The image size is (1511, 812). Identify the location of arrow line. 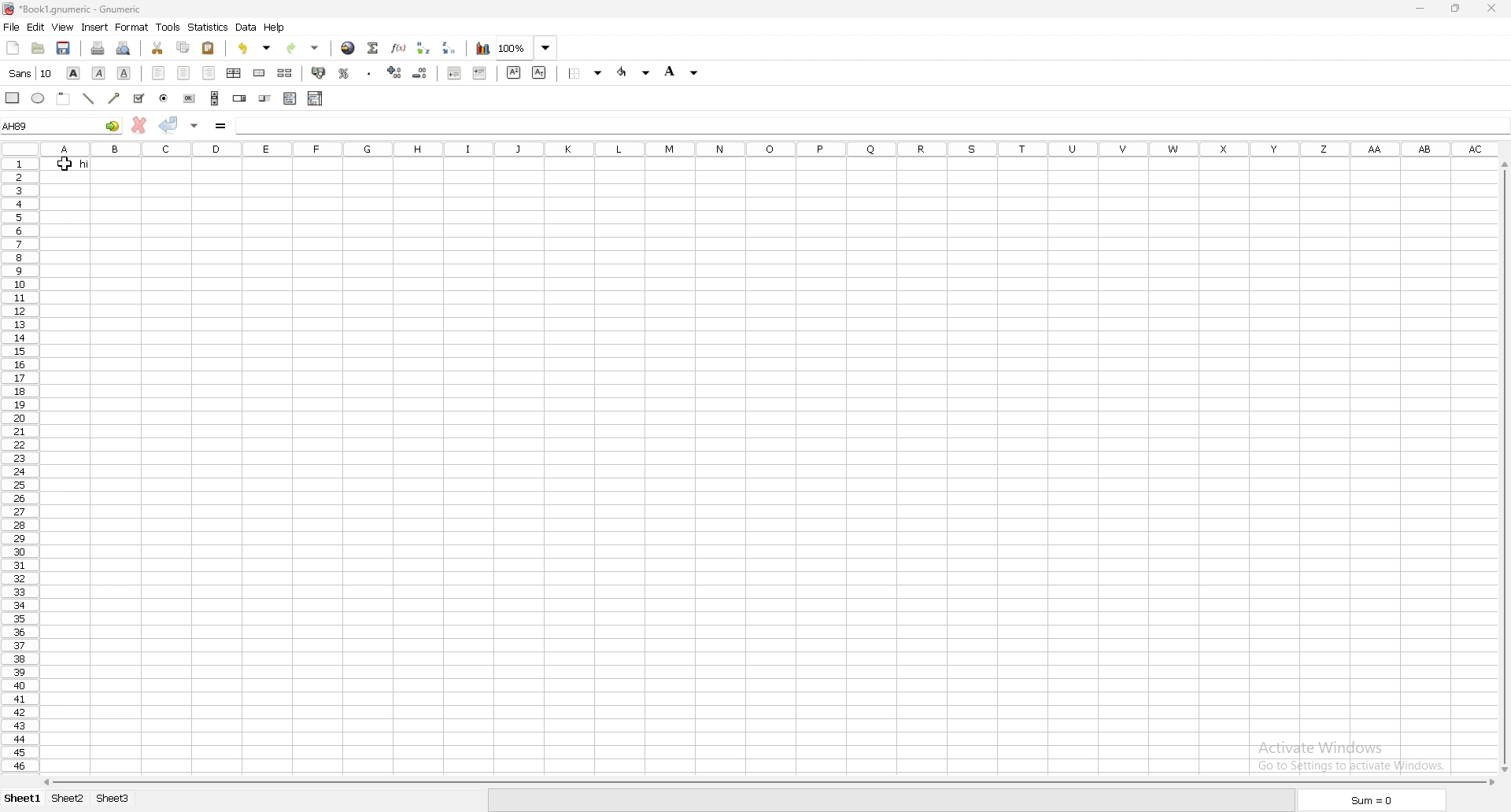
(116, 98).